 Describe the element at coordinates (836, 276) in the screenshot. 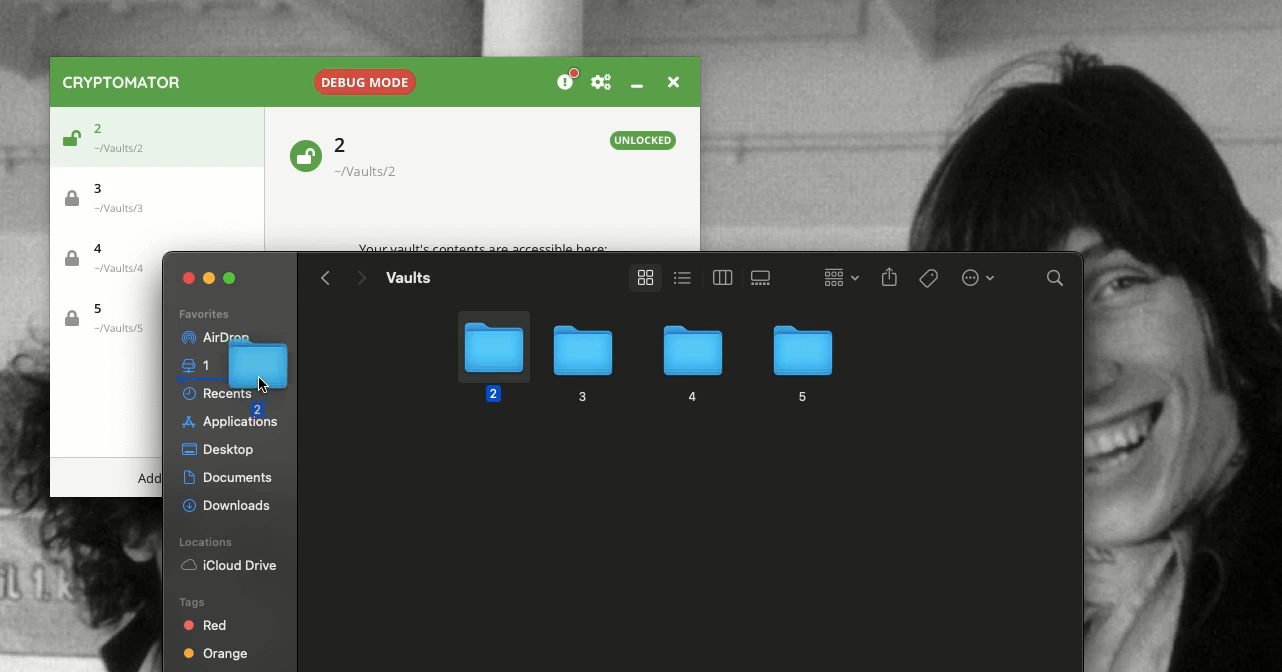

I see `Grid view` at that location.